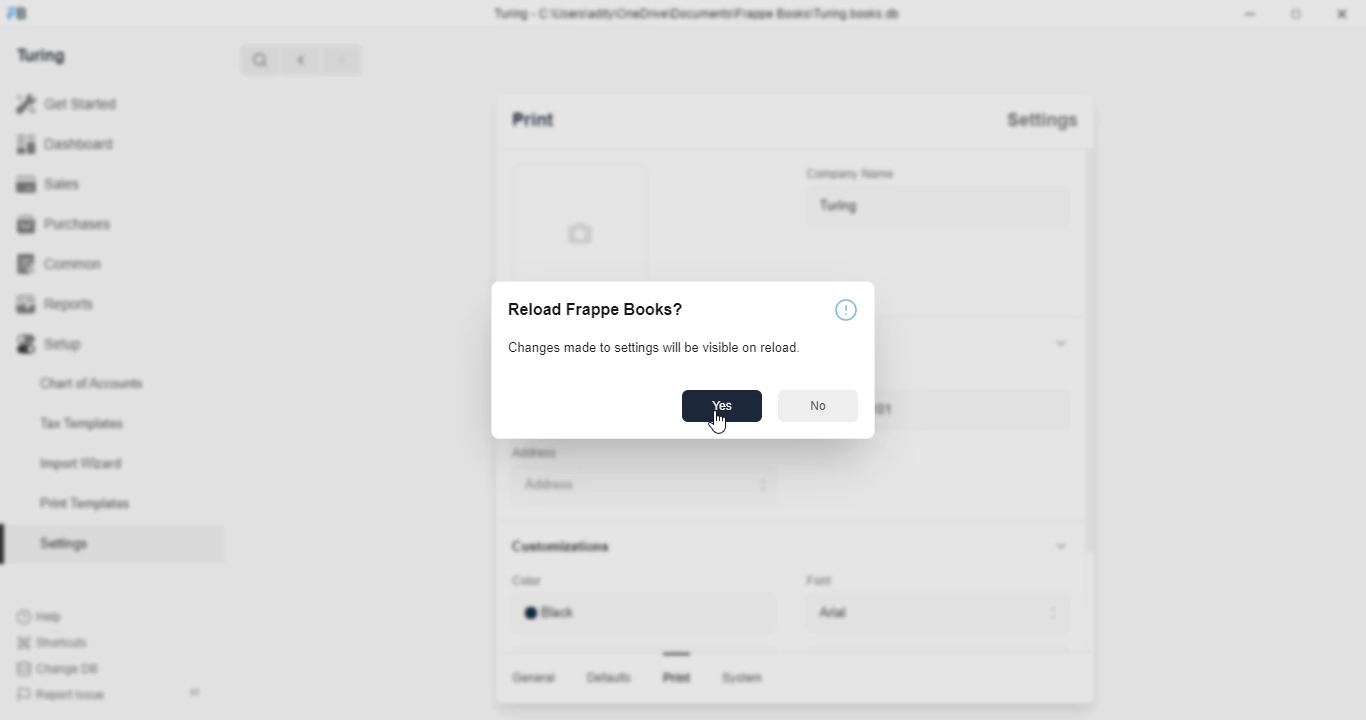 The height and width of the screenshot is (720, 1366). I want to click on Dashboard, so click(104, 144).